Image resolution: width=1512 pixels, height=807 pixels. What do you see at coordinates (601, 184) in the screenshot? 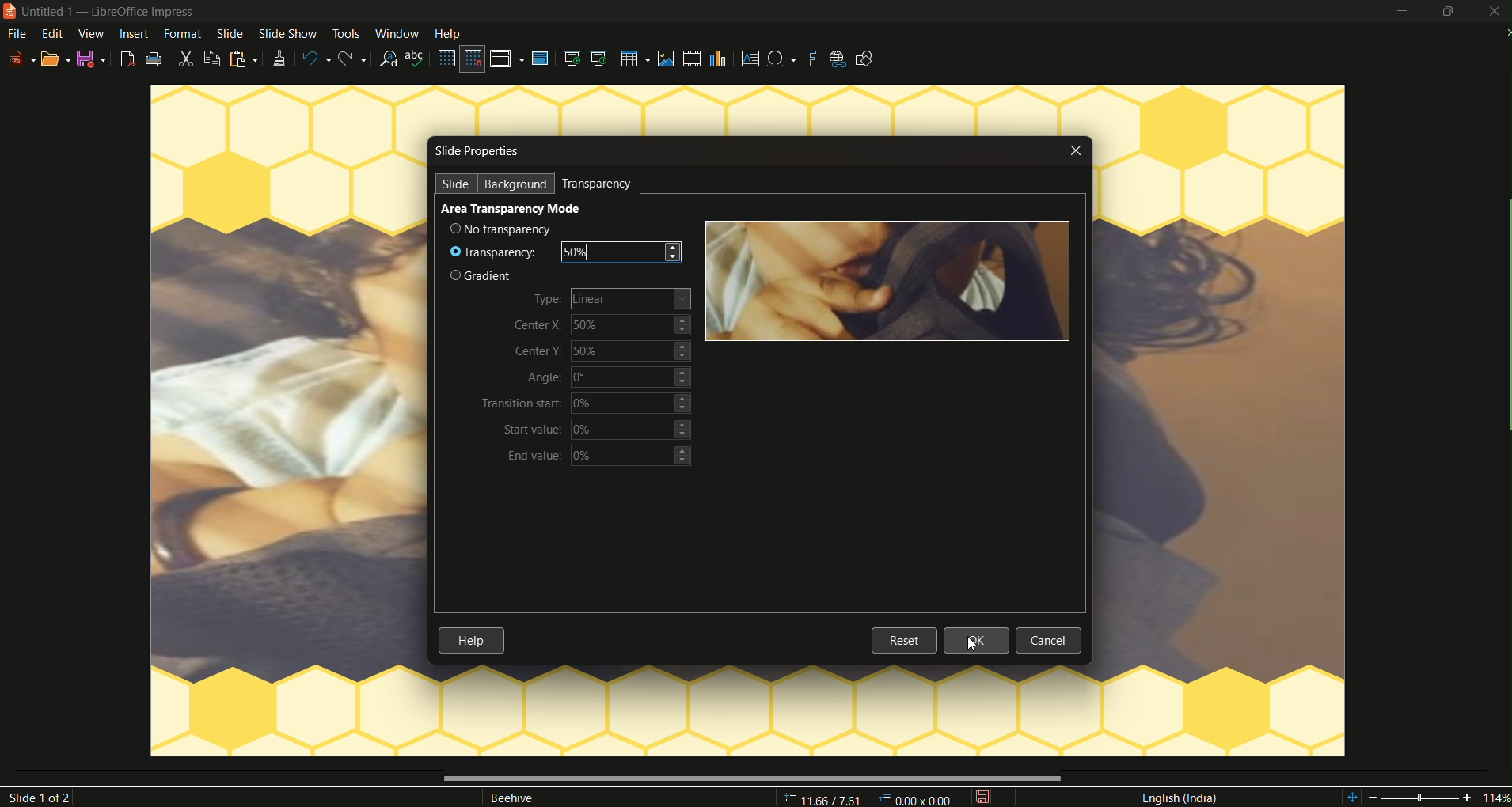
I see `transparency` at bounding box center [601, 184].